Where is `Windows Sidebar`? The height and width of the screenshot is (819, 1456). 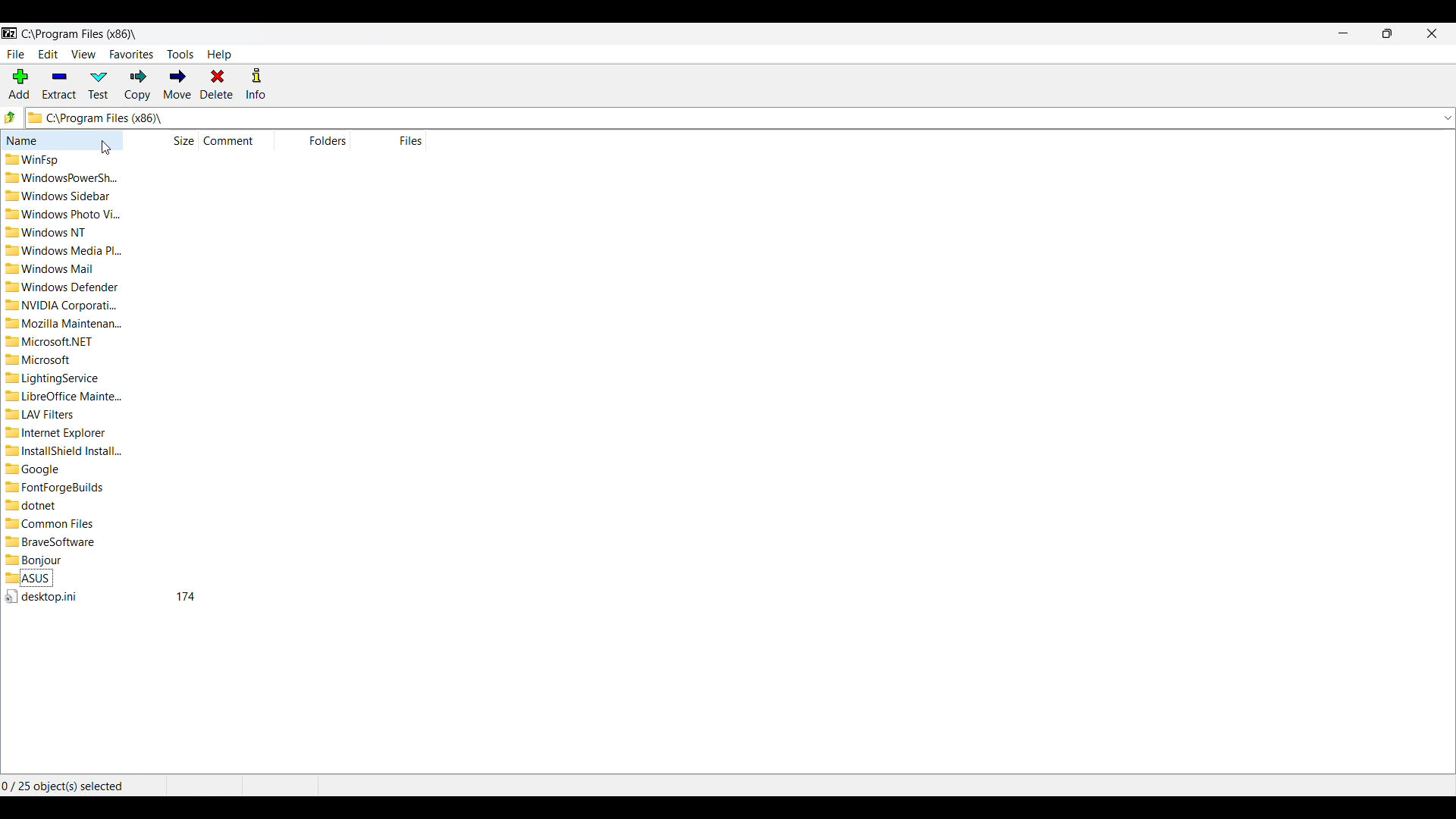
Windows Sidebar is located at coordinates (64, 197).